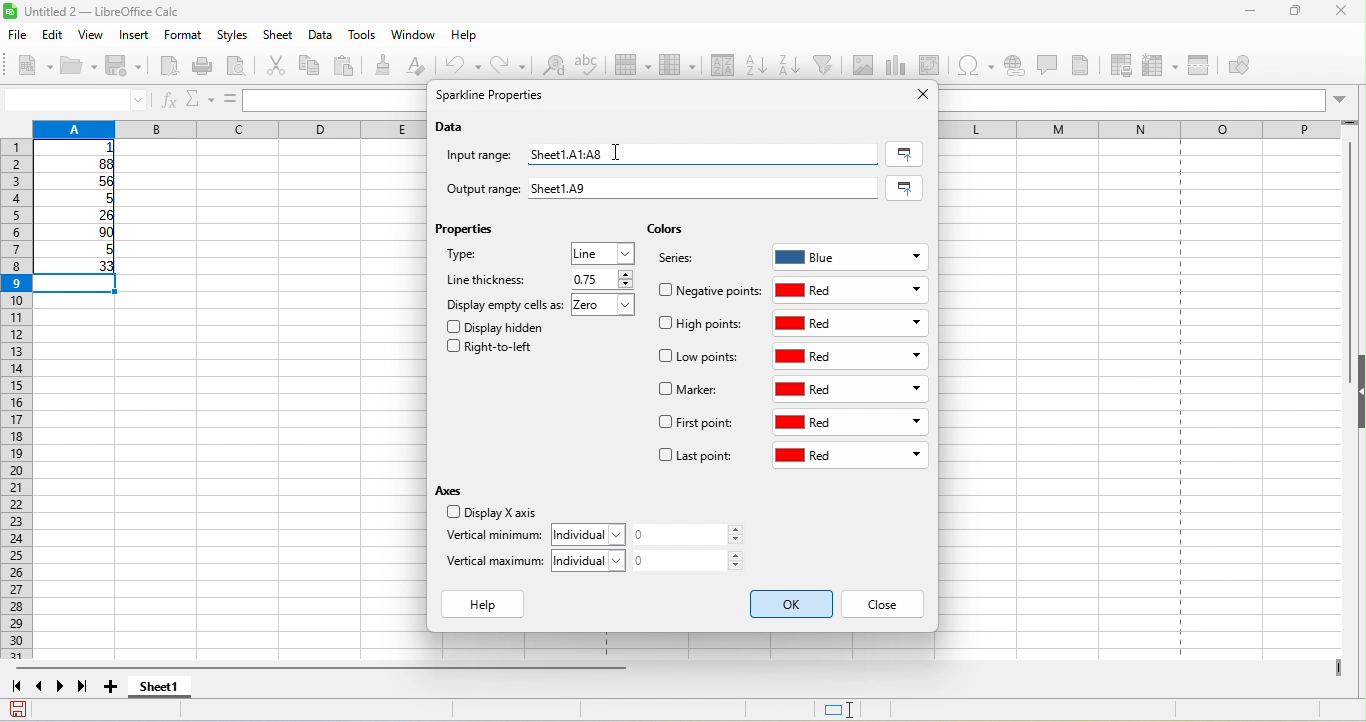  I want to click on close, so click(890, 605).